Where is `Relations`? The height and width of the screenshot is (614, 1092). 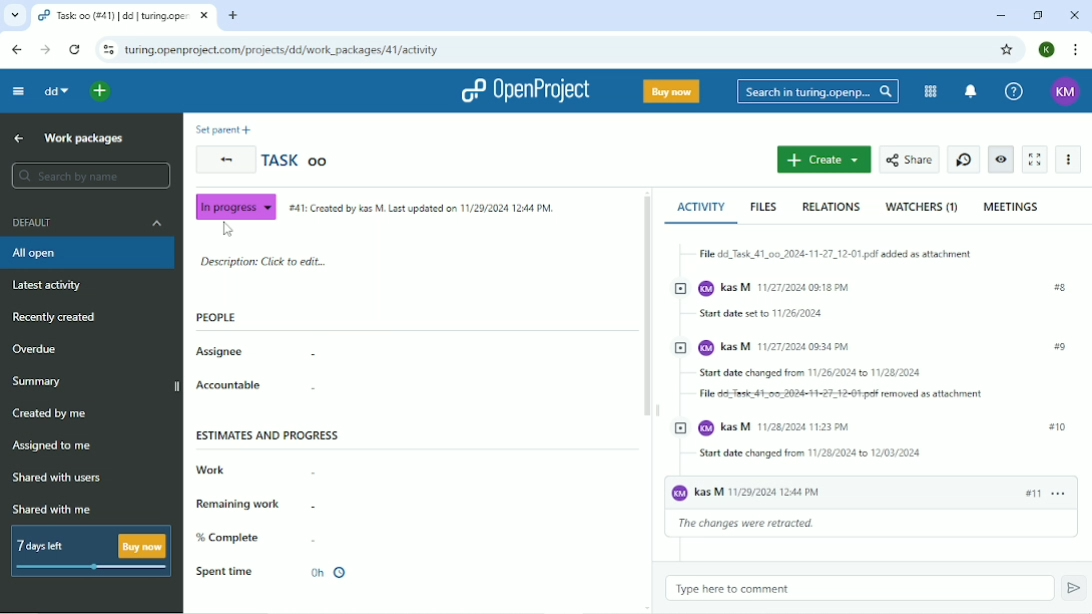
Relations is located at coordinates (833, 207).